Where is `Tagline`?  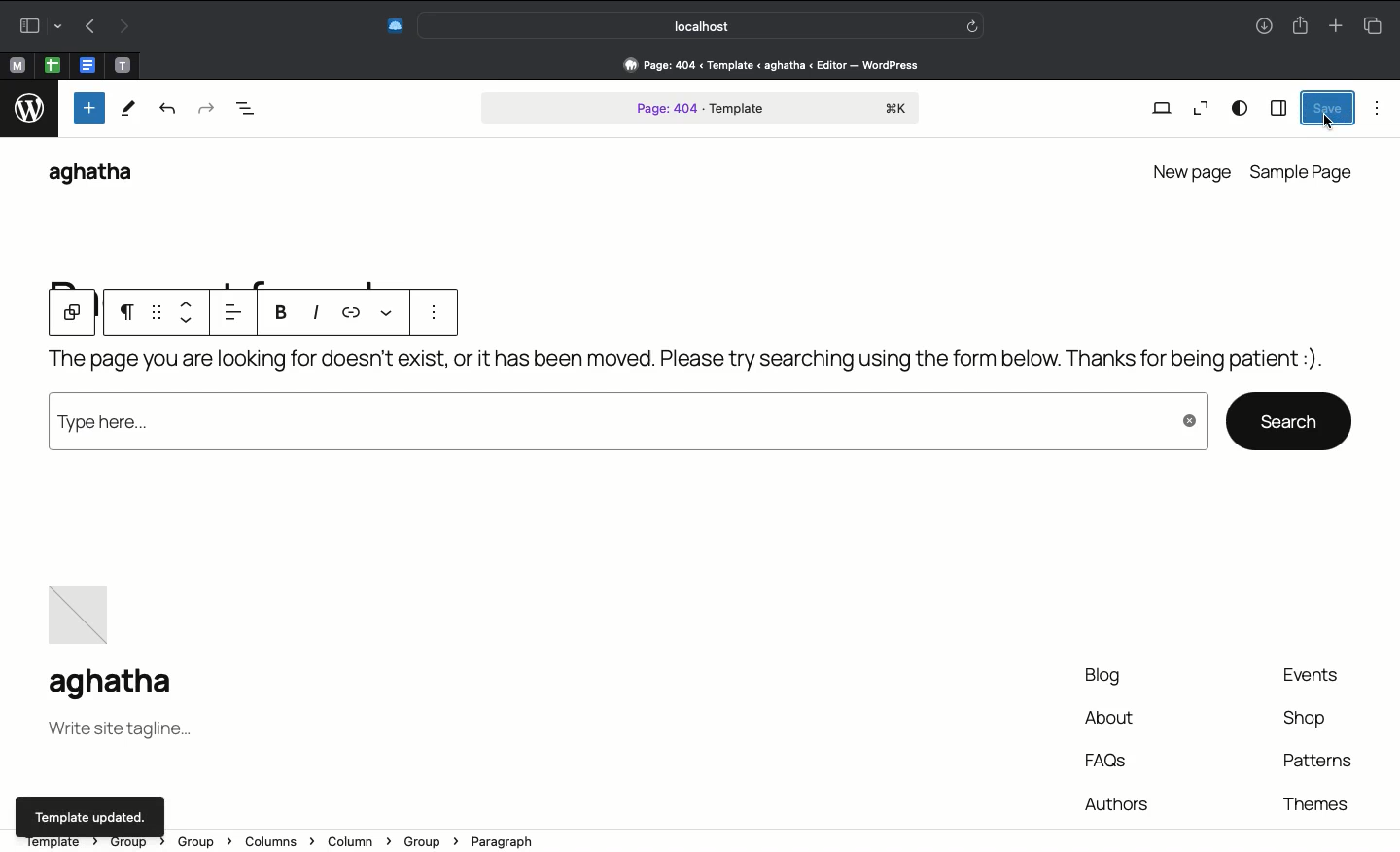
Tagline is located at coordinates (120, 732).